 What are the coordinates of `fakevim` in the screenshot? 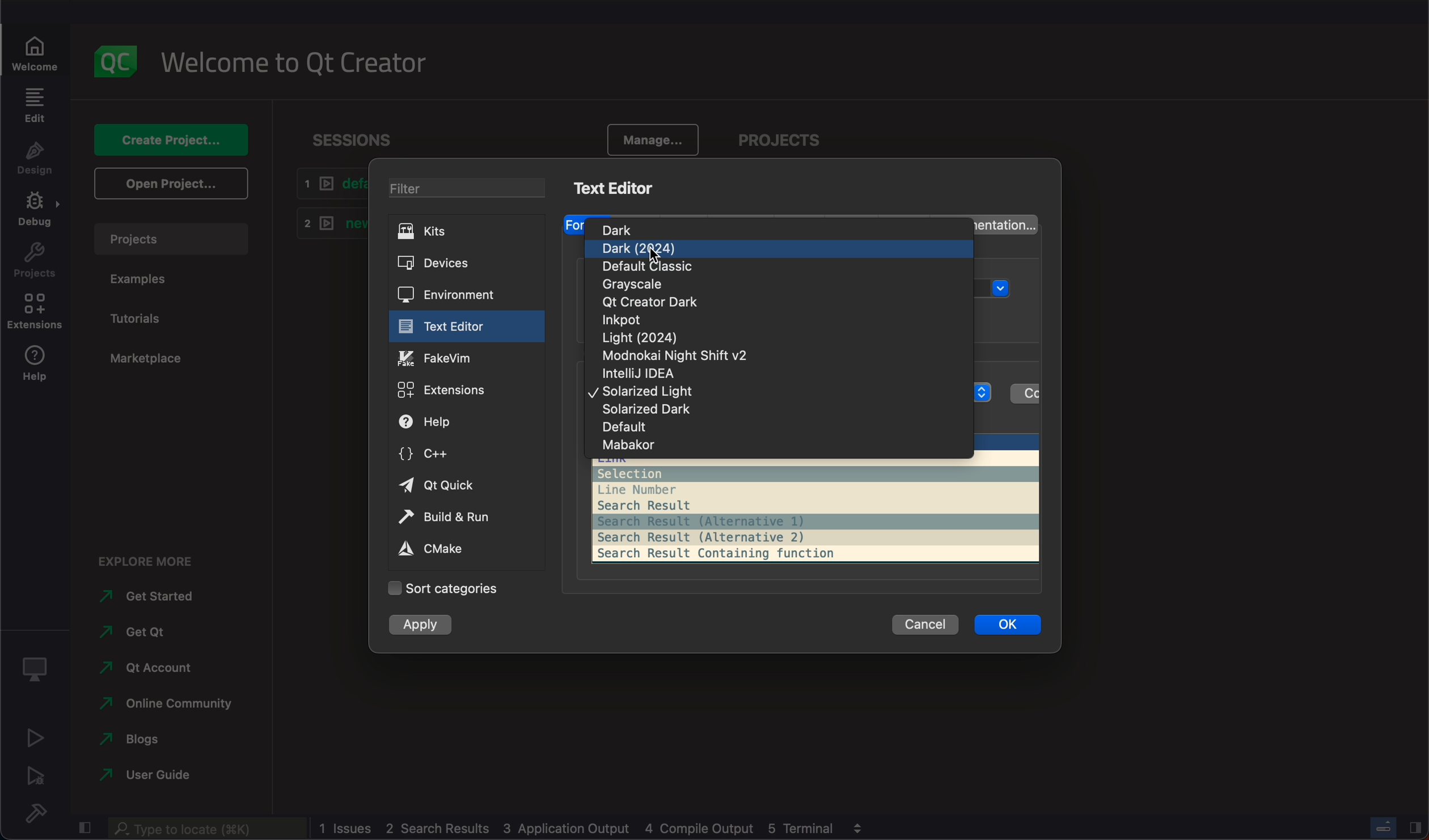 It's located at (467, 357).